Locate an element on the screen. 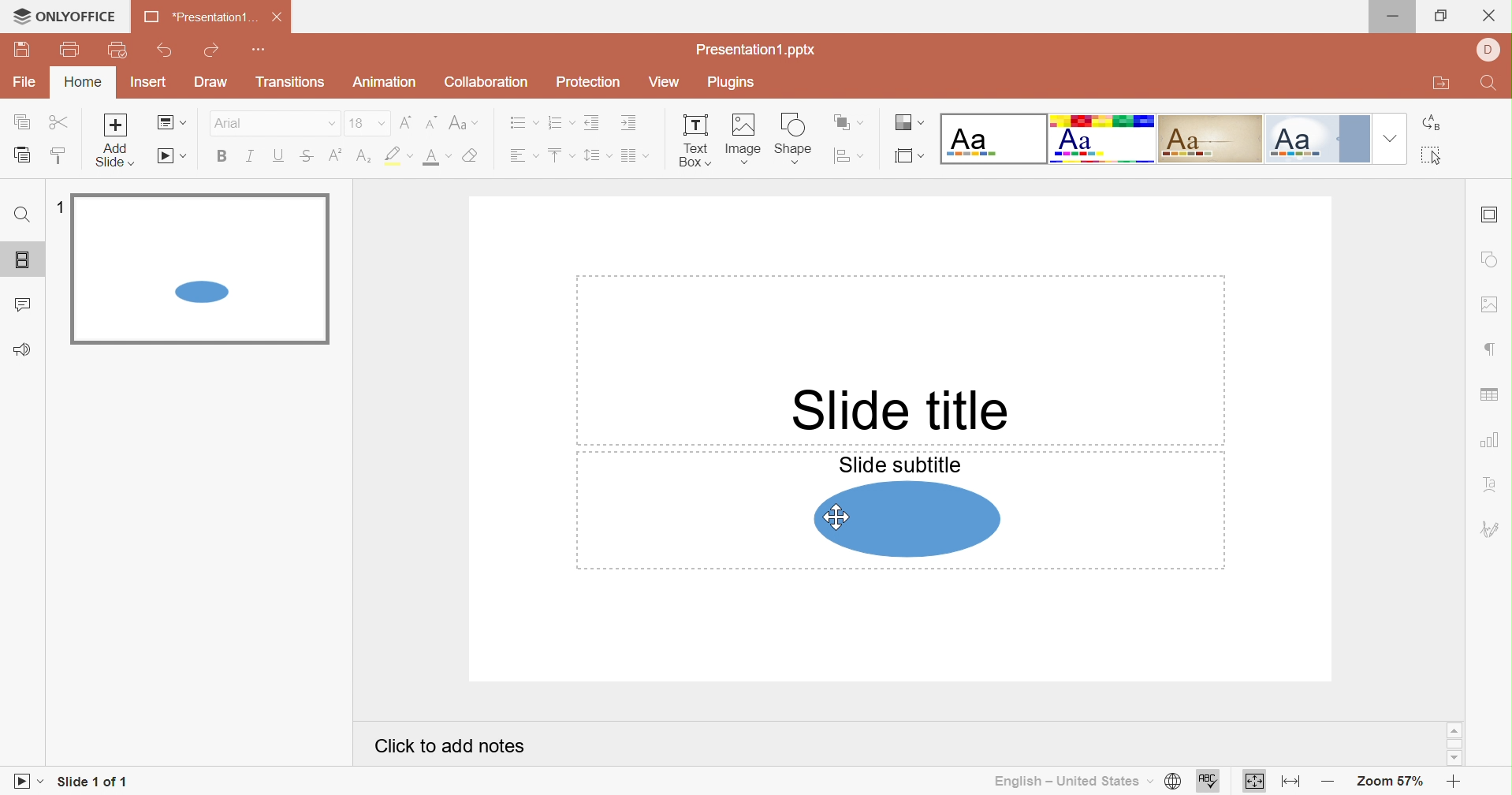 This screenshot has width=1512, height=795. Undo is located at coordinates (166, 54).